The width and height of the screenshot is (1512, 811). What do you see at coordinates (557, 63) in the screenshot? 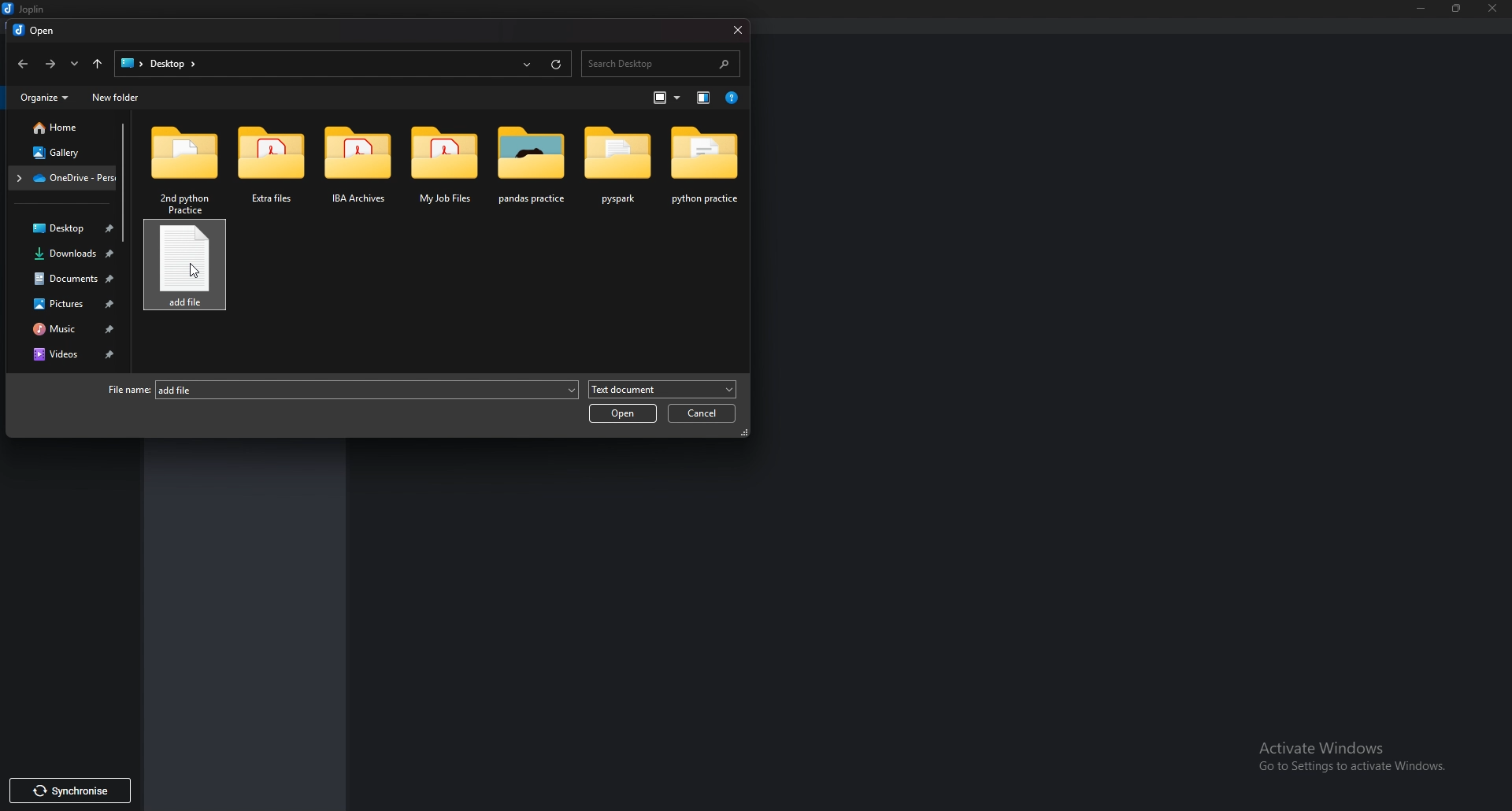
I see `Refresh` at bounding box center [557, 63].